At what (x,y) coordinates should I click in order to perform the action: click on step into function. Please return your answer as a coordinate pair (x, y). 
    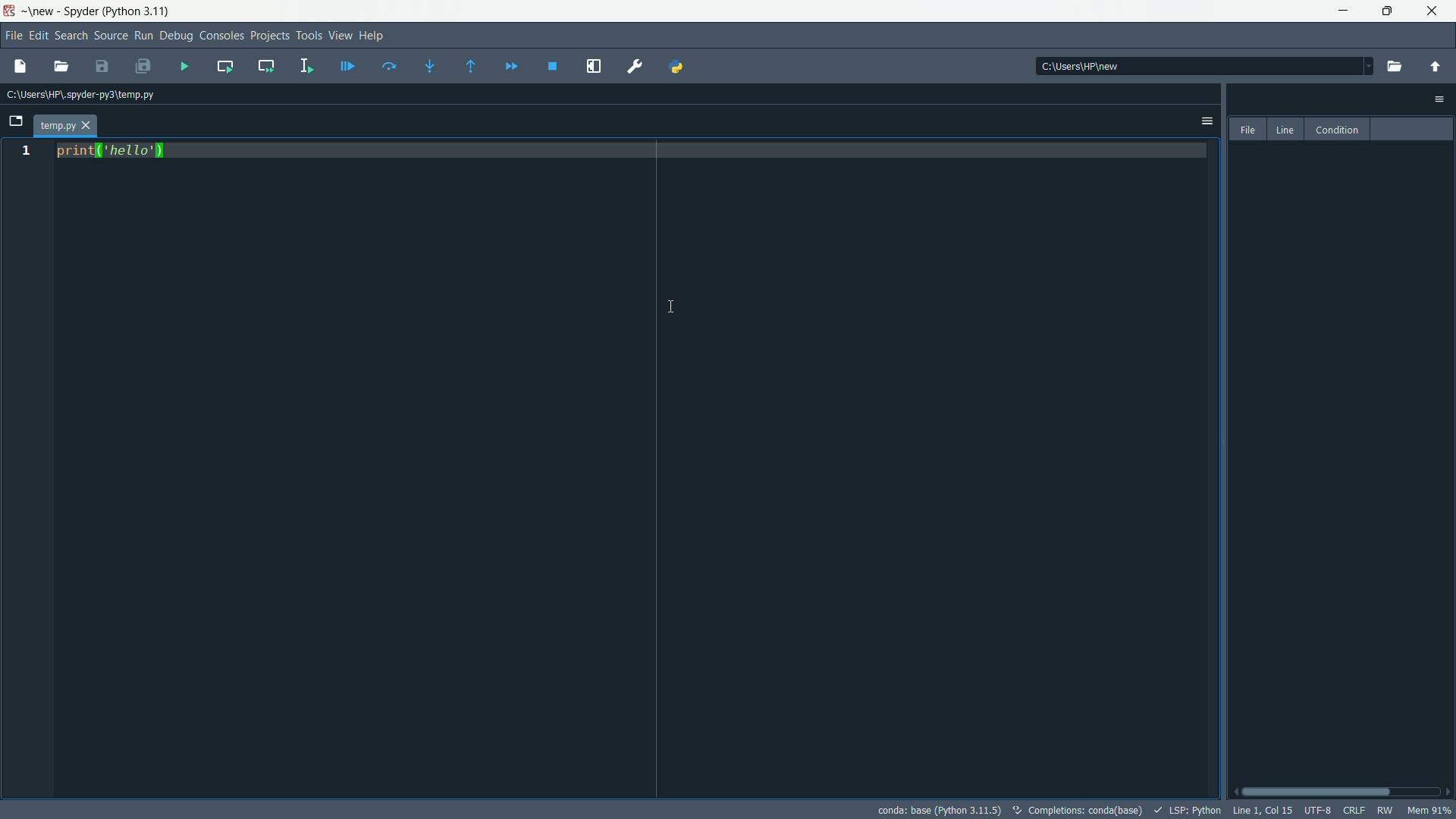
    Looking at the image, I should click on (431, 64).